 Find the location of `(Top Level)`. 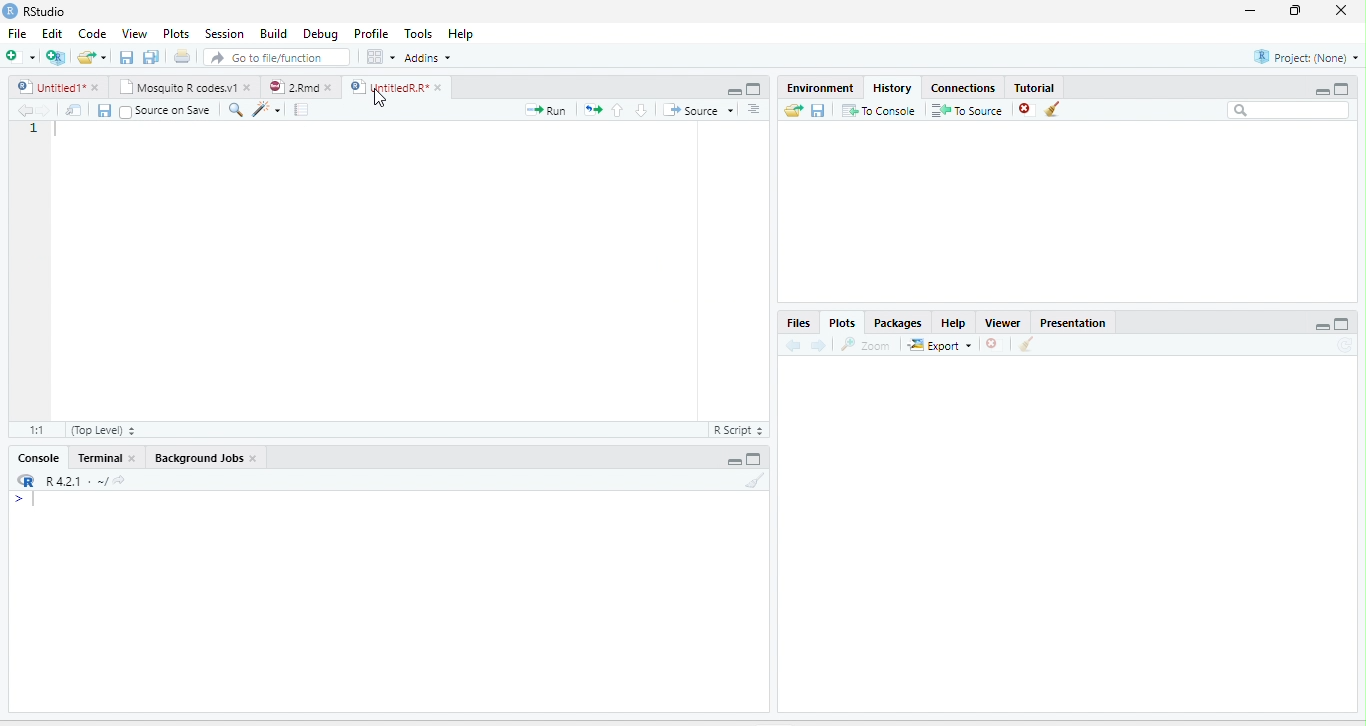

(Top Level) is located at coordinates (102, 430).